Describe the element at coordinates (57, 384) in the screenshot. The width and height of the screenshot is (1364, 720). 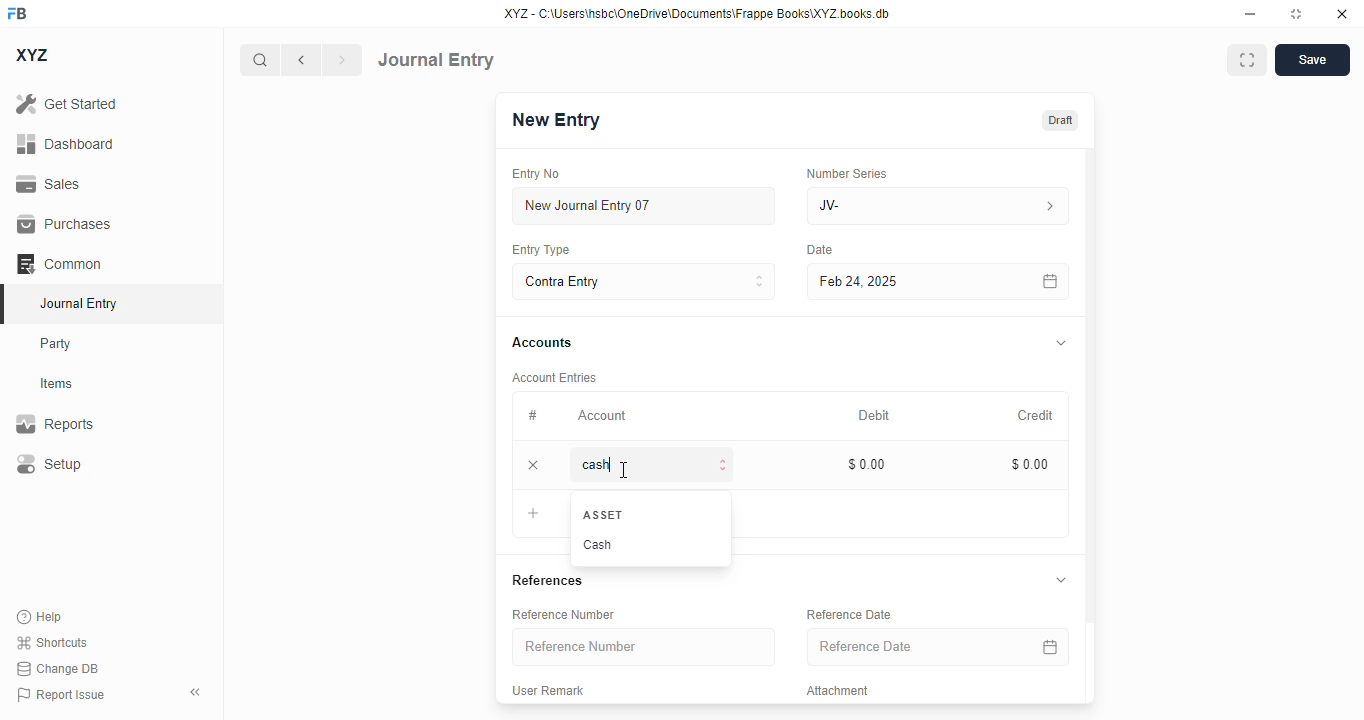
I see `items` at that location.